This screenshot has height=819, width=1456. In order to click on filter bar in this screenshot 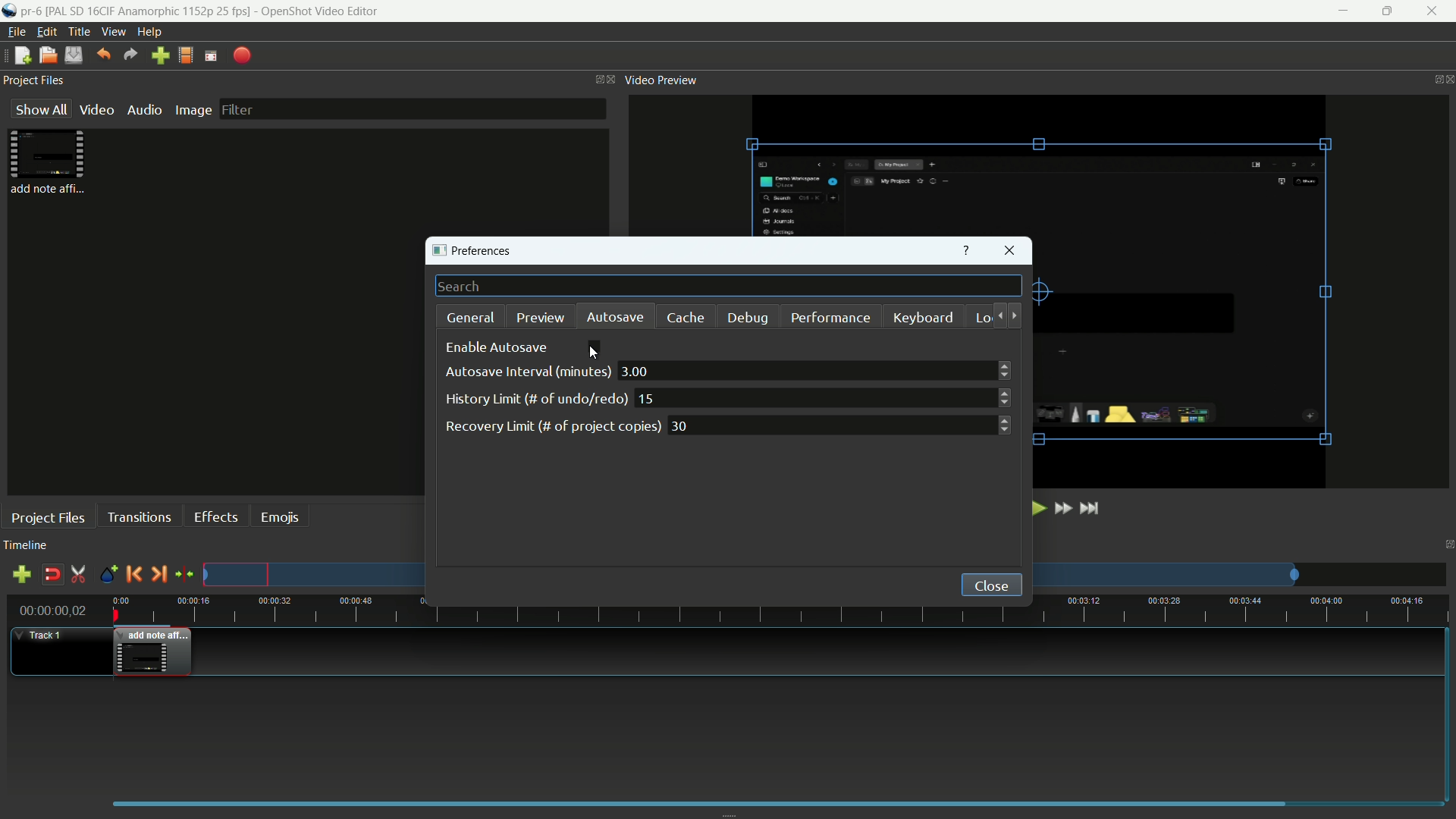, I will do `click(412, 109)`.